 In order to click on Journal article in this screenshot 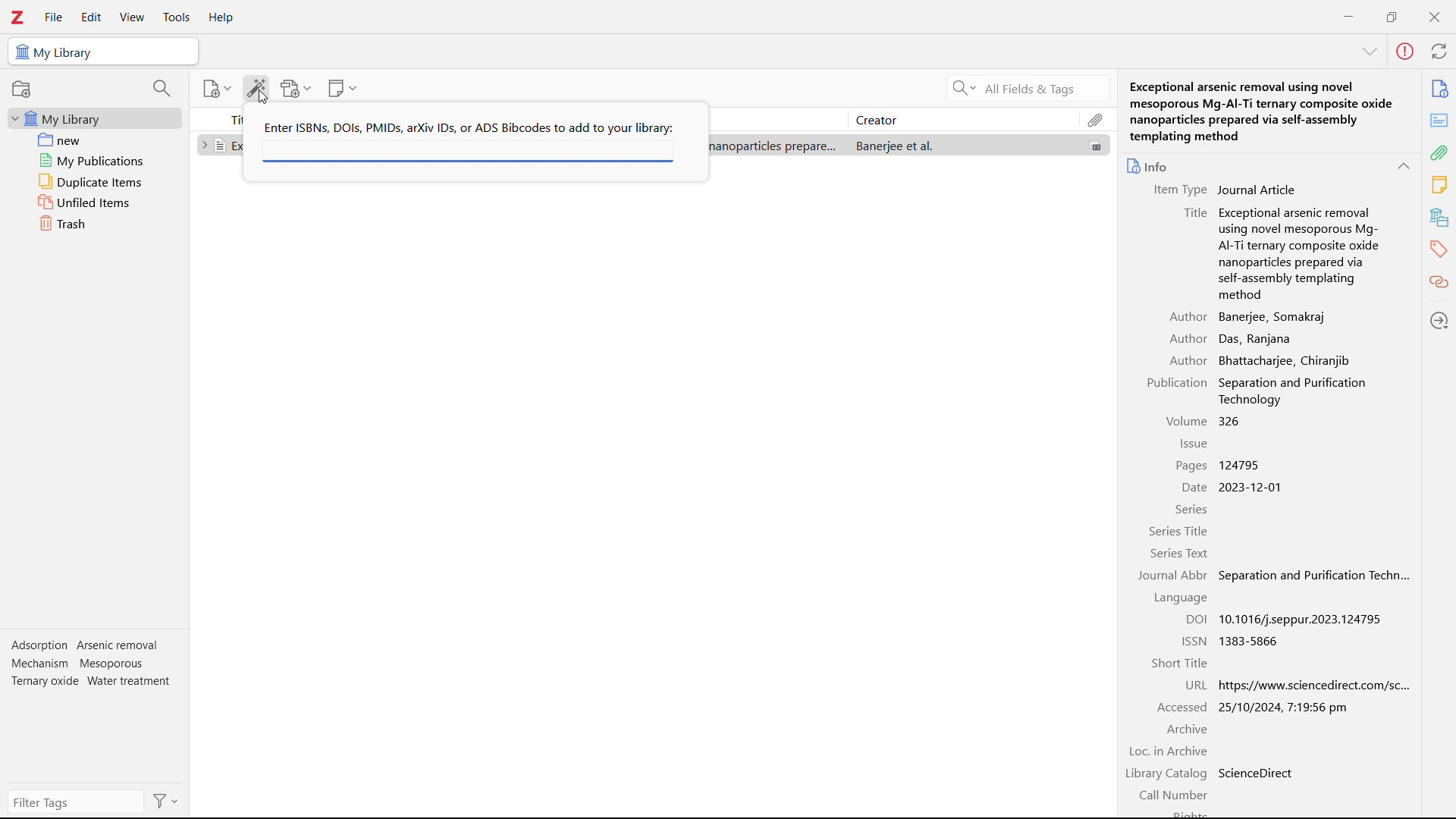, I will do `click(1258, 189)`.